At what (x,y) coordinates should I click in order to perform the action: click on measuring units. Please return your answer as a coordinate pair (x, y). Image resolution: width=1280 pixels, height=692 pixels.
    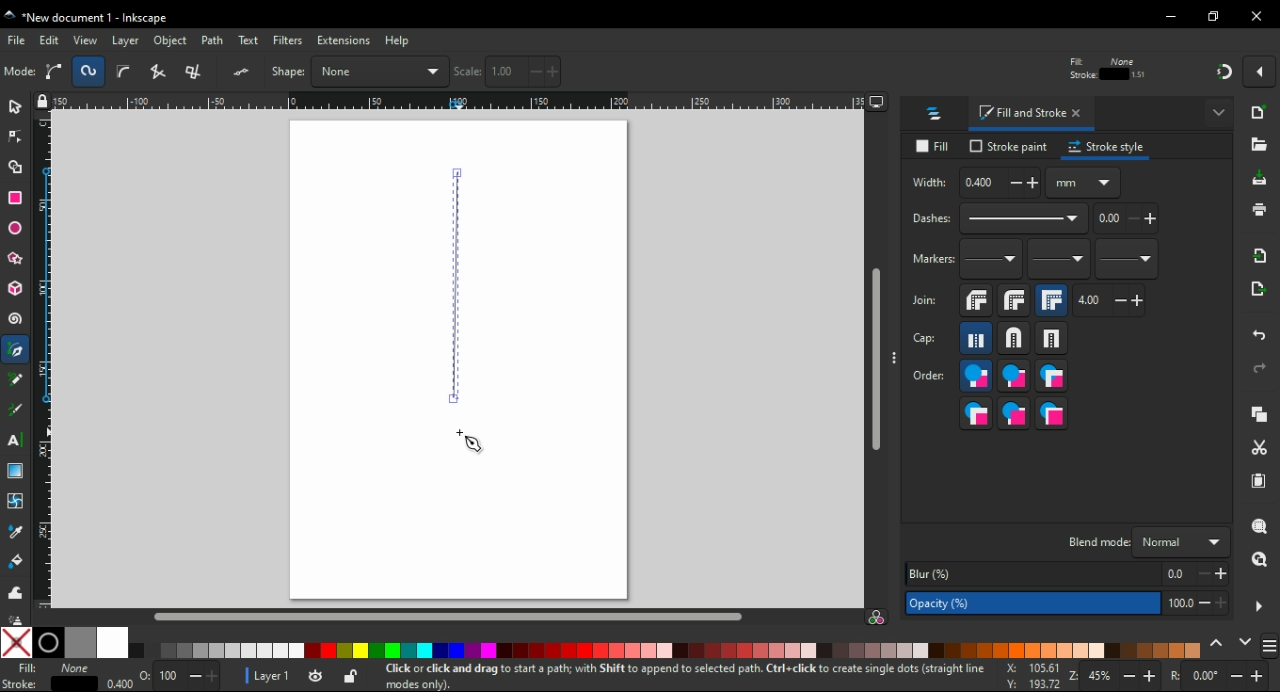
    Looking at the image, I should click on (1083, 182).